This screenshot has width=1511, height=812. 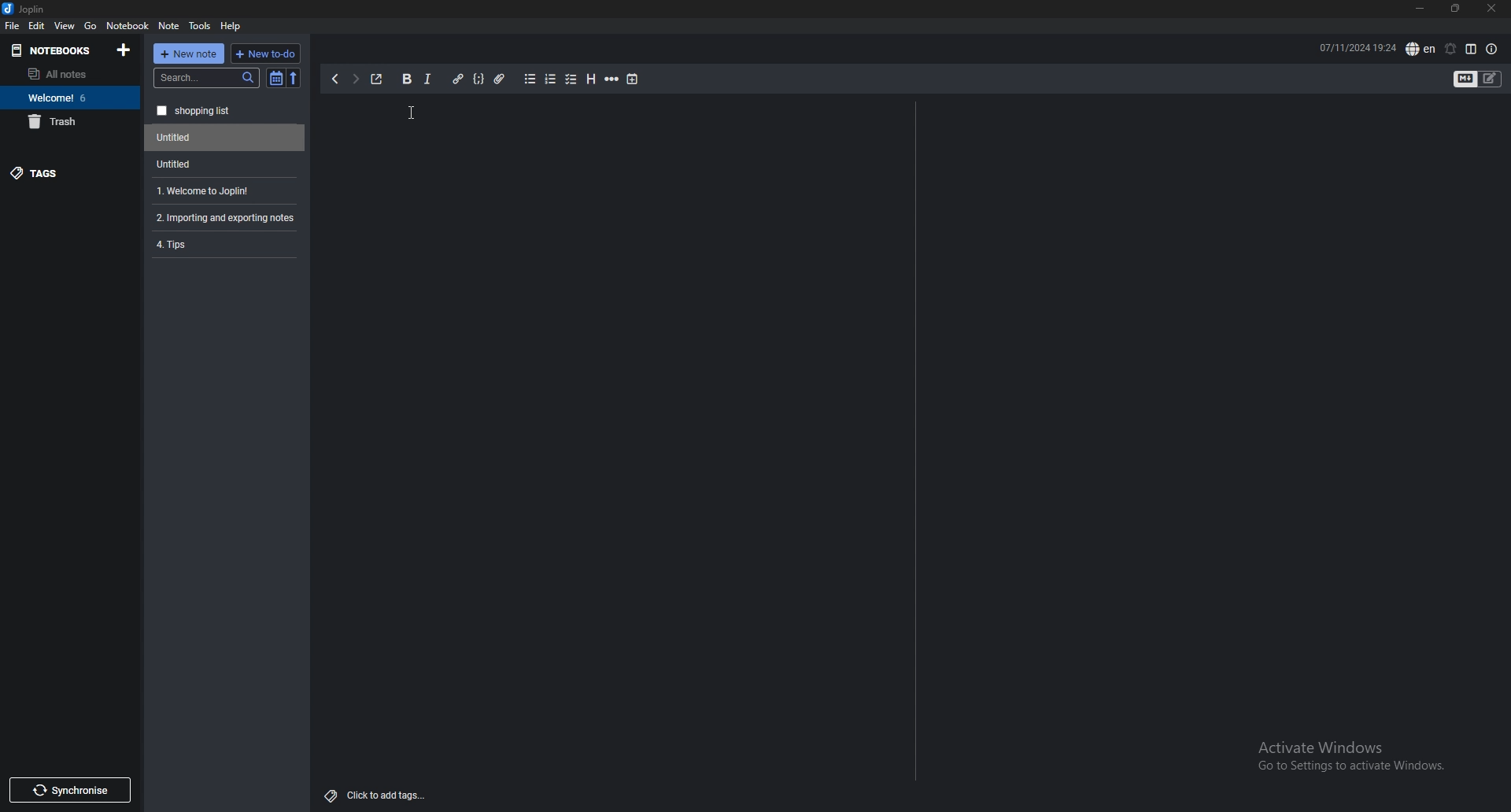 What do you see at coordinates (1358, 46) in the screenshot?
I see `07/11/2024 19:24` at bounding box center [1358, 46].